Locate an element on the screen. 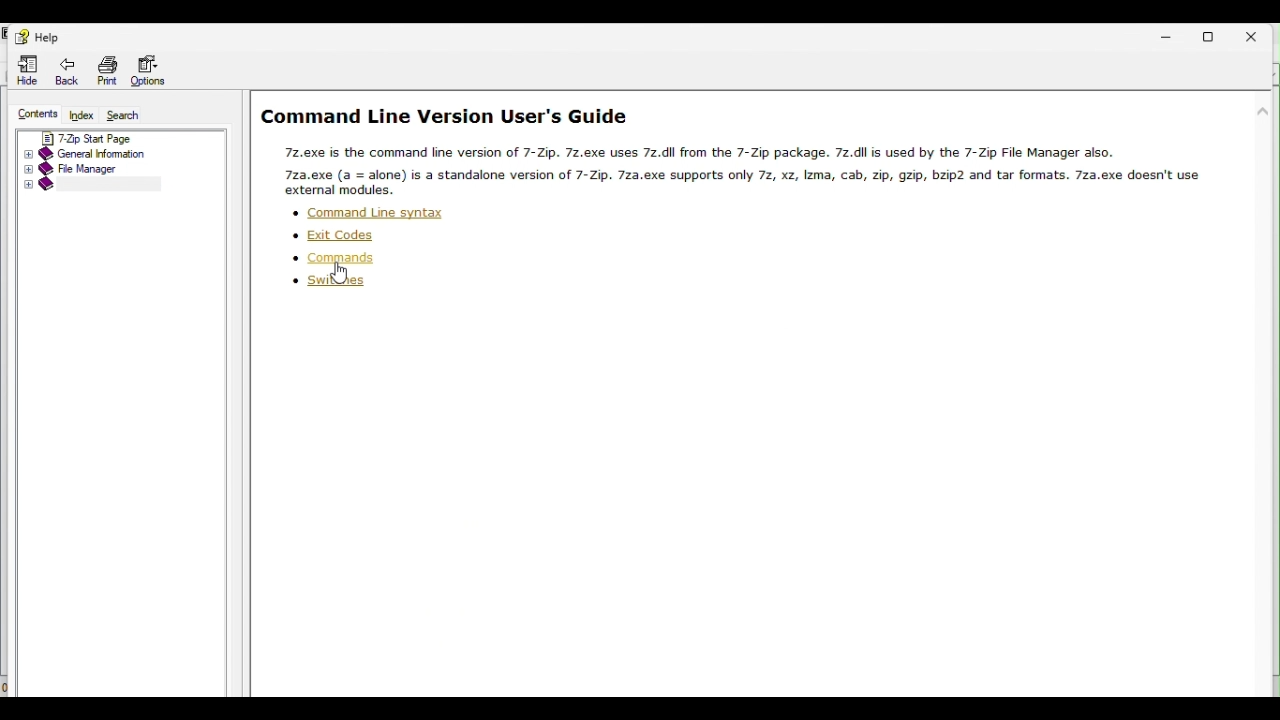 The image size is (1280, 720). Minimize is located at coordinates (1173, 34).